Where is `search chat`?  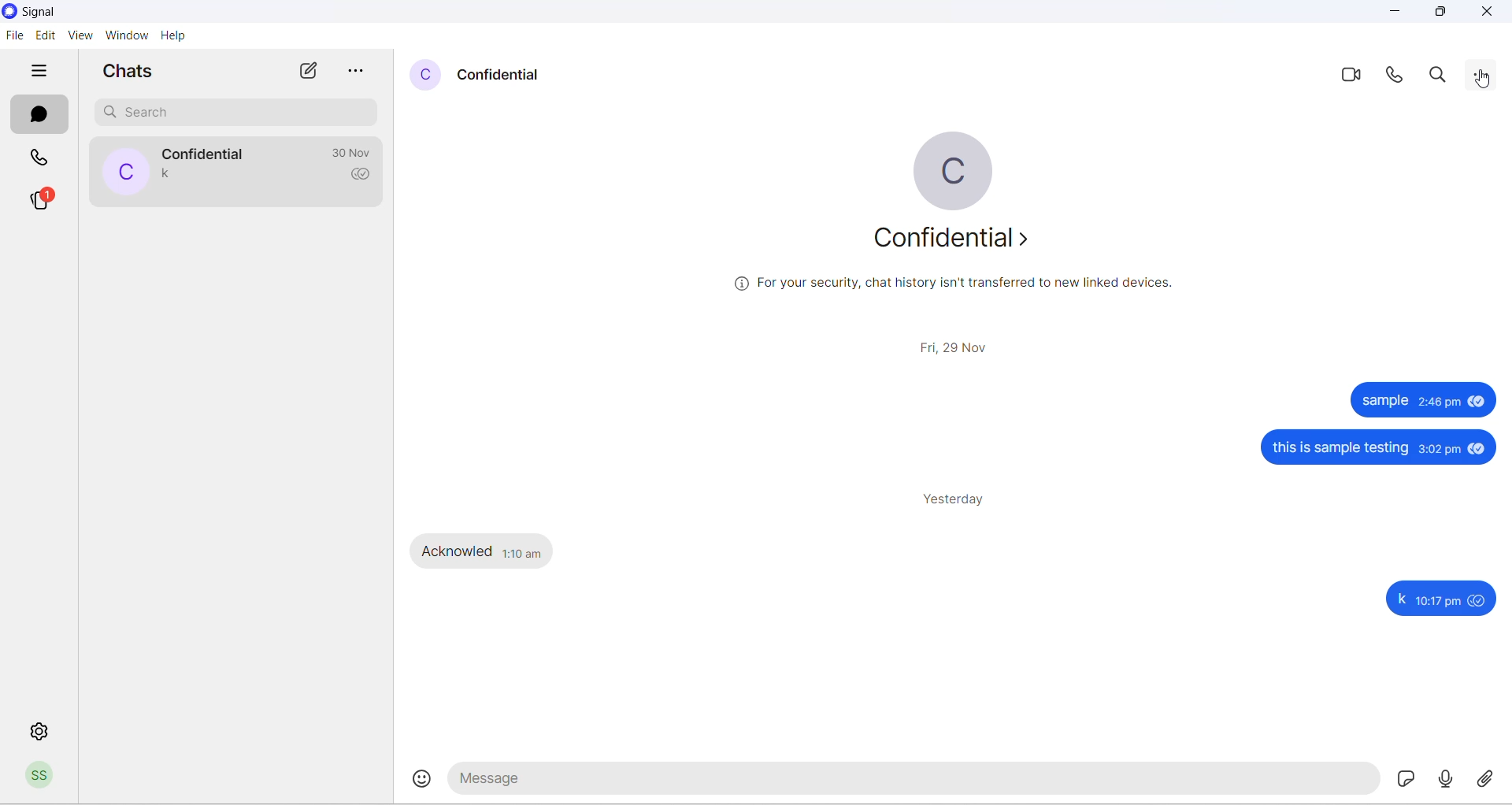 search chat is located at coordinates (228, 114).